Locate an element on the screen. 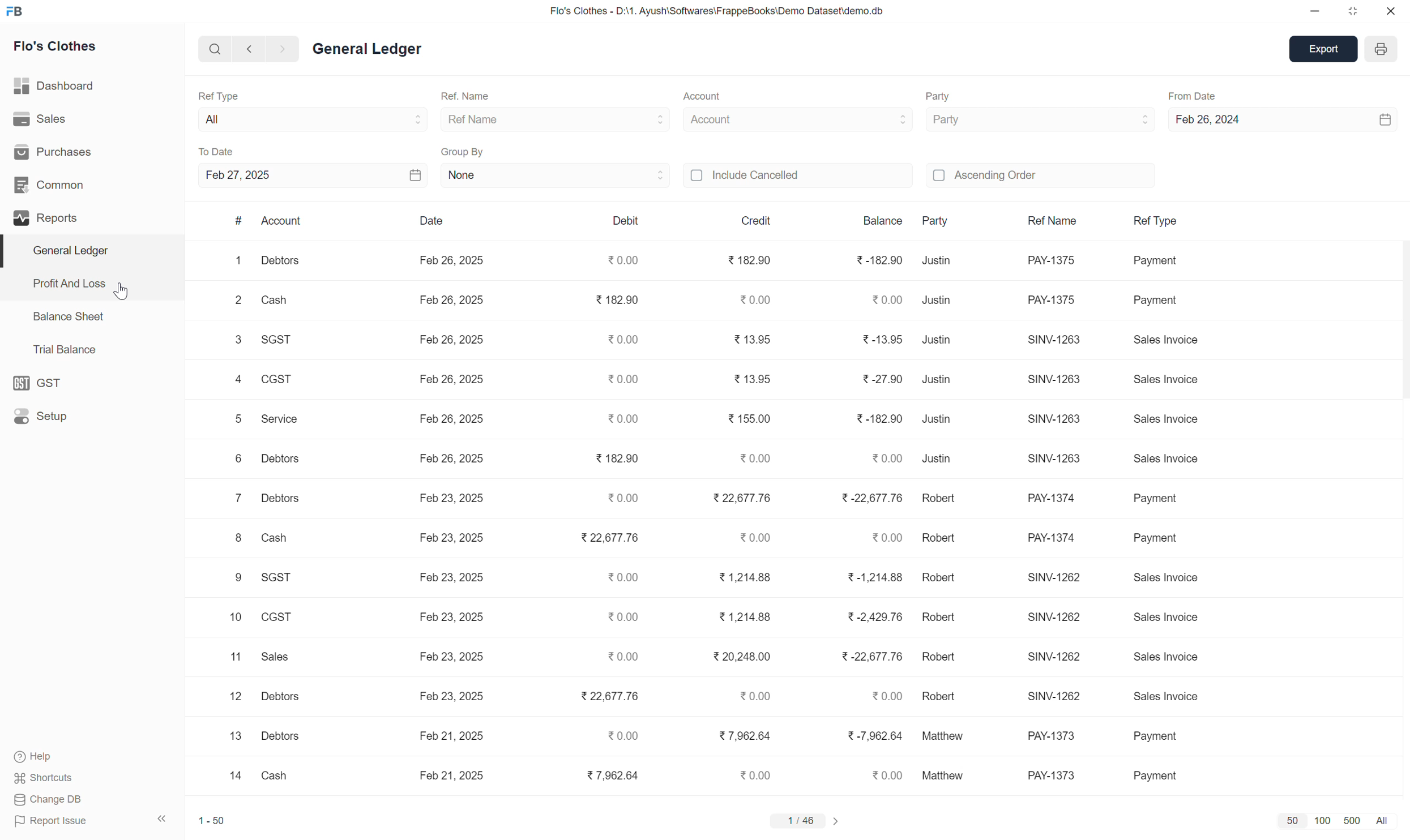 This screenshot has width=1410, height=840. Debtors is located at coordinates (277, 738).